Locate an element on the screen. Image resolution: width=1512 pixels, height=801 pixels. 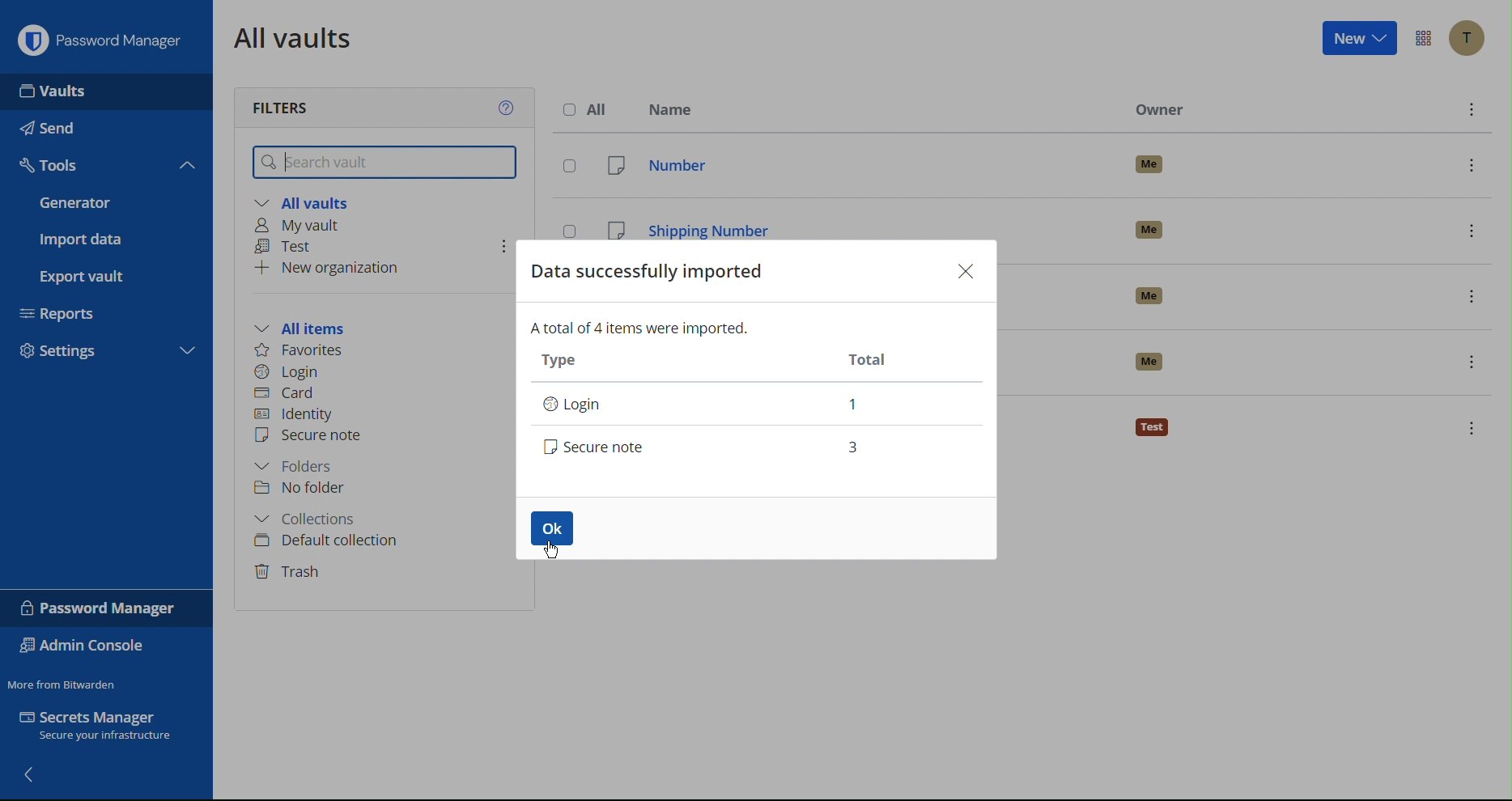
Password Manager is located at coordinates (100, 39).